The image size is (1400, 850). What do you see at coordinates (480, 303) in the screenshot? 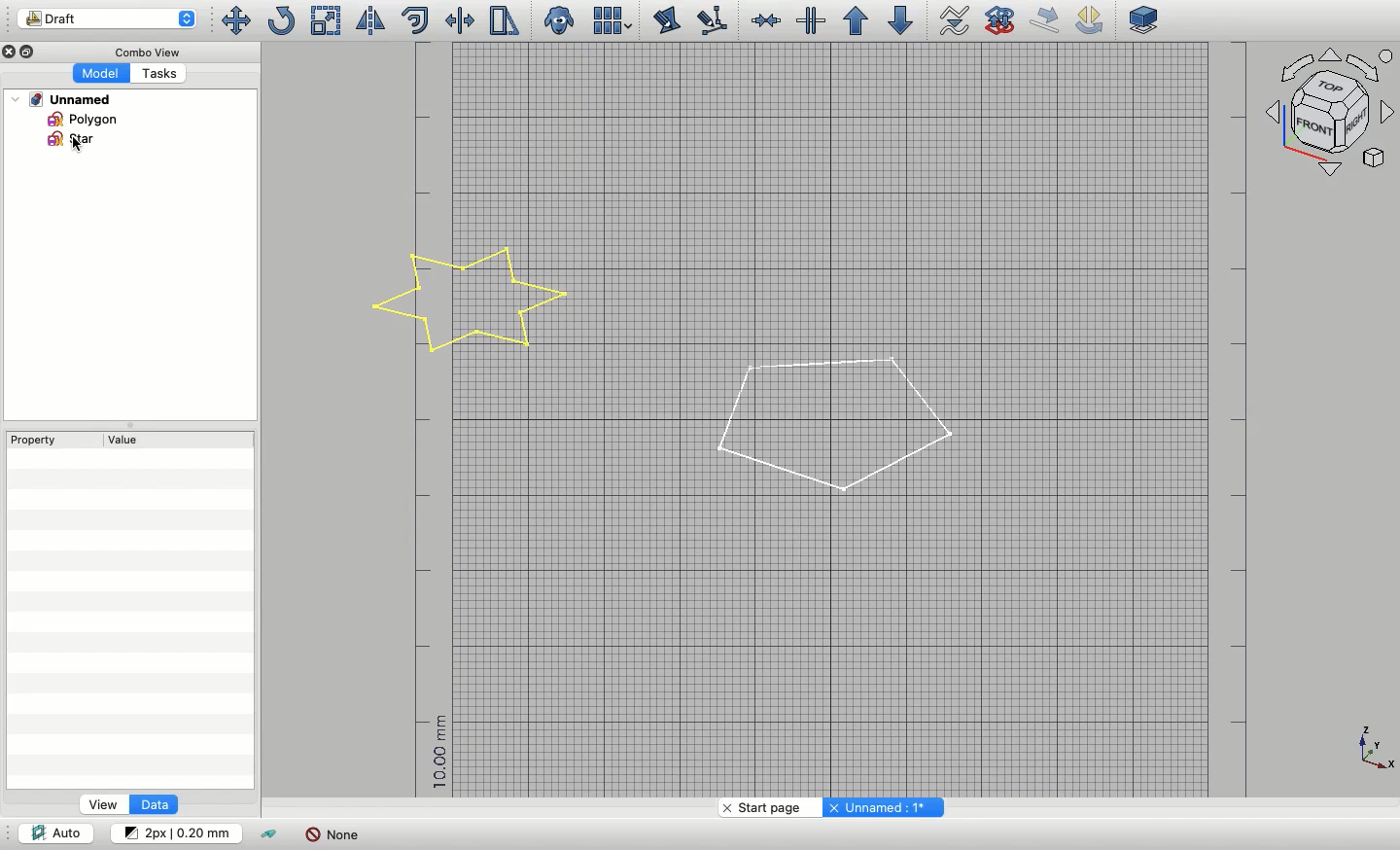
I see `Star` at bounding box center [480, 303].